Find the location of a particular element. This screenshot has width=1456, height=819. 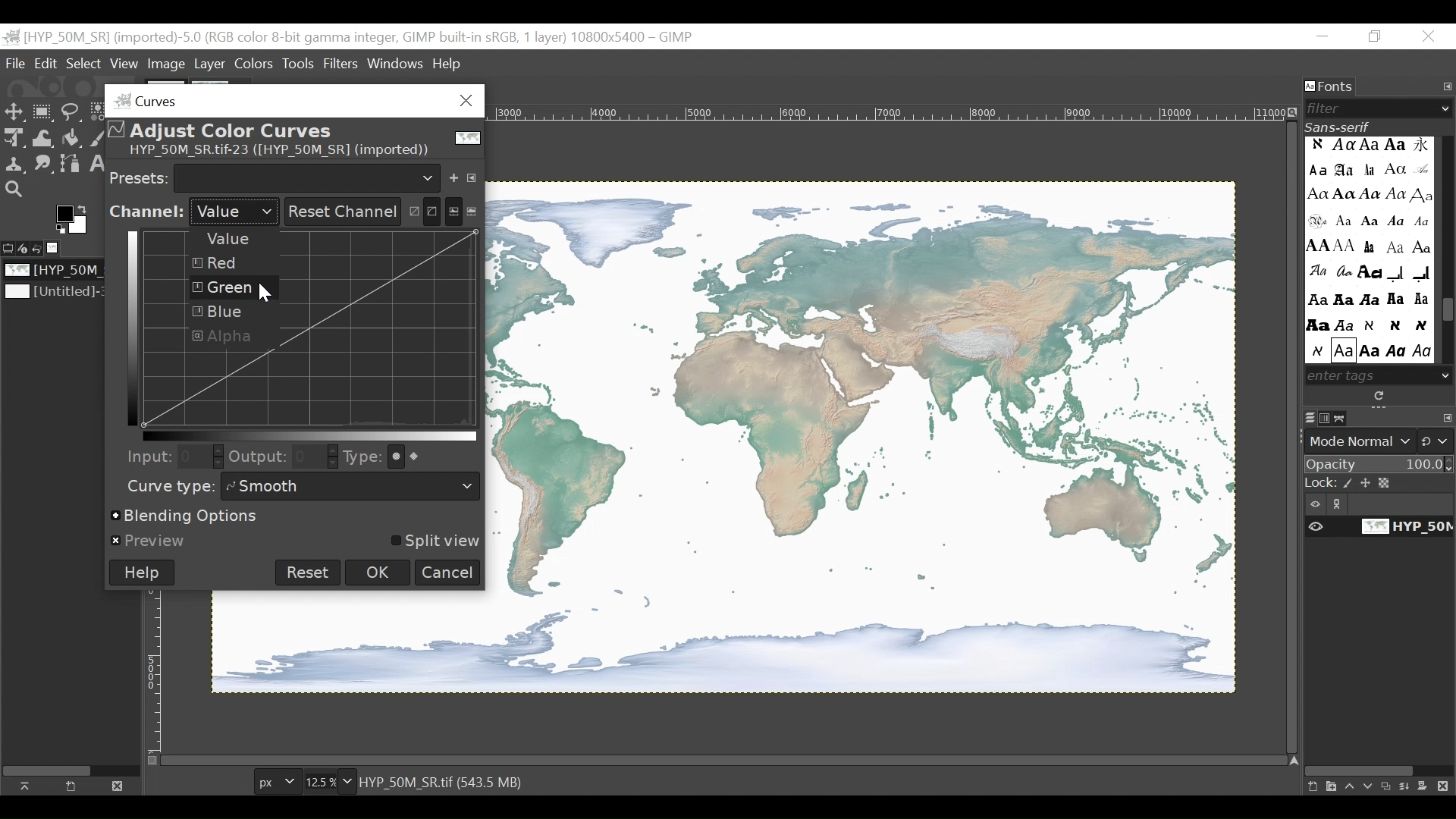

Blue is located at coordinates (222, 310).